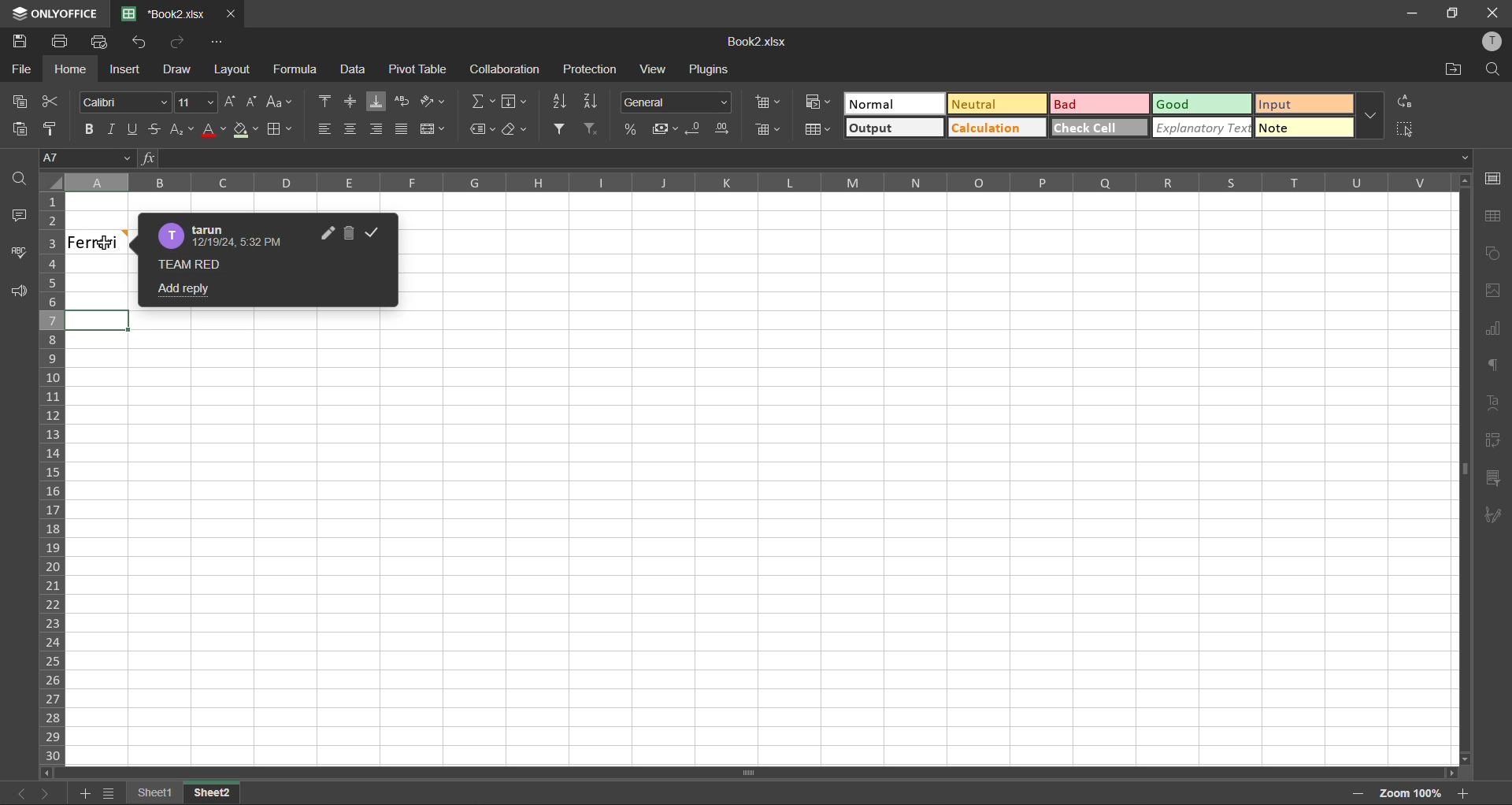  Describe the element at coordinates (379, 129) in the screenshot. I see `align right` at that location.